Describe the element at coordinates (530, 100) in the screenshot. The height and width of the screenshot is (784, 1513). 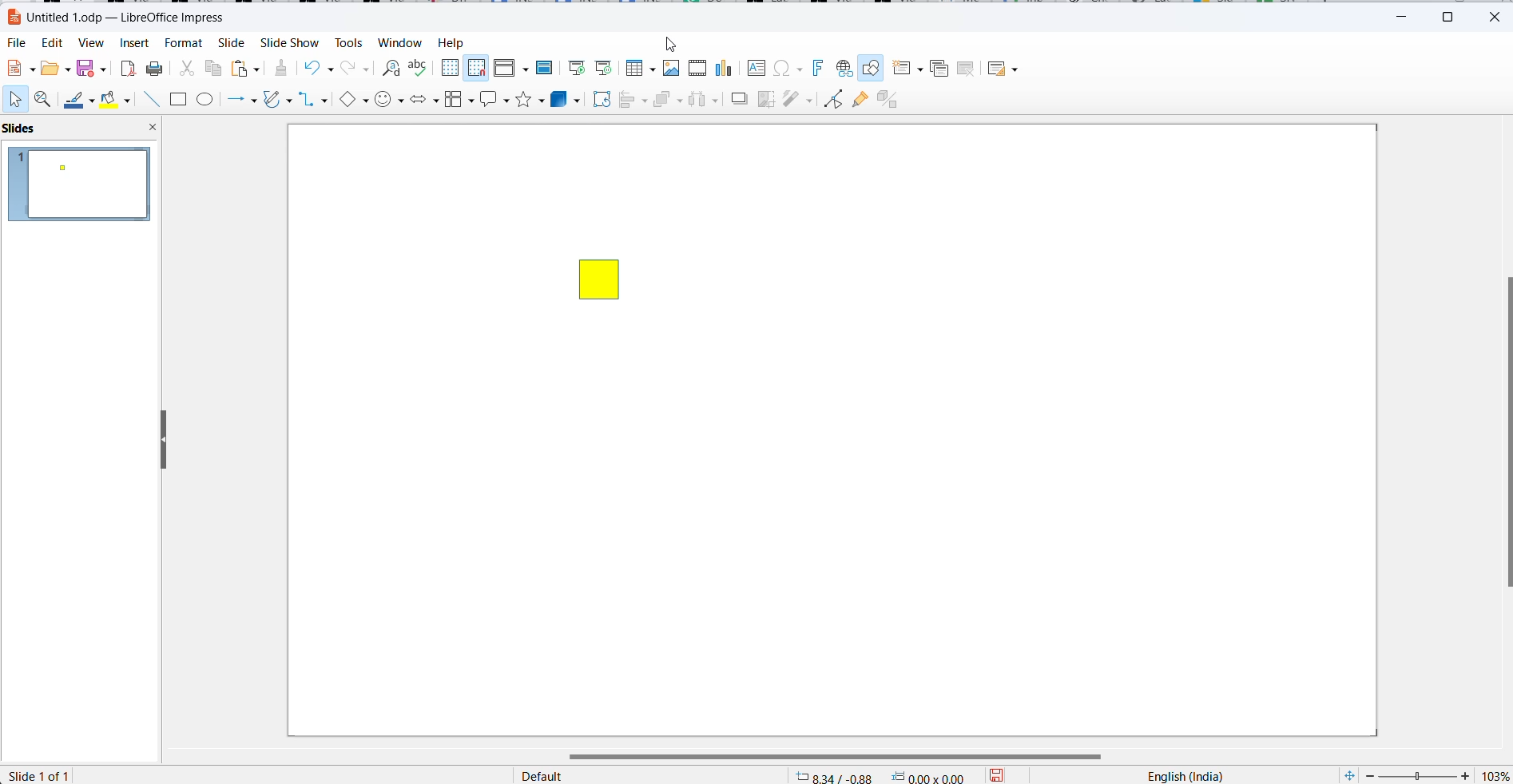
I see `star shapes` at that location.